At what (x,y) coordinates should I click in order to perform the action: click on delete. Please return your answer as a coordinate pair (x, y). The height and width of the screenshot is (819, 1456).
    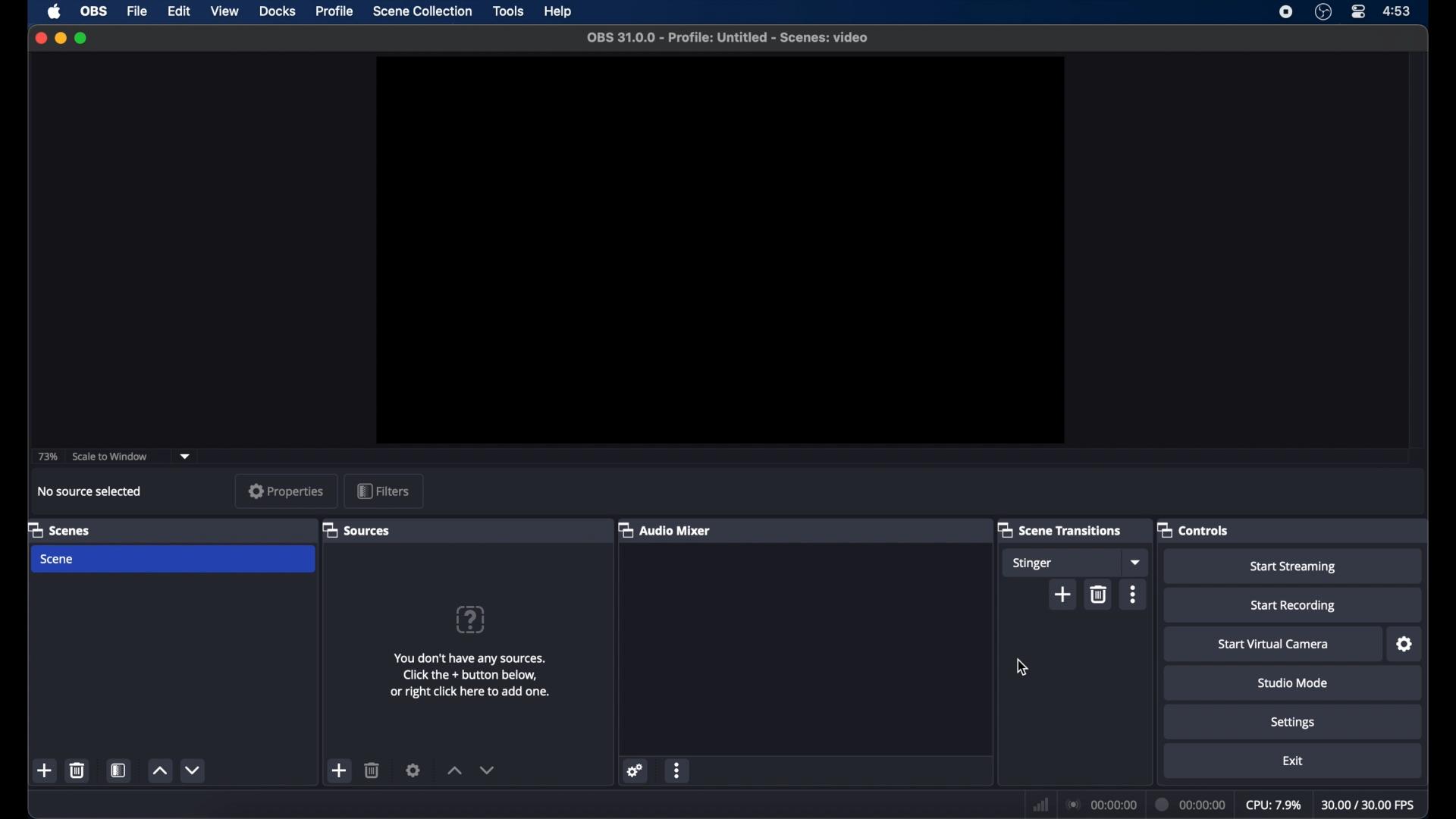
    Looking at the image, I should click on (373, 770).